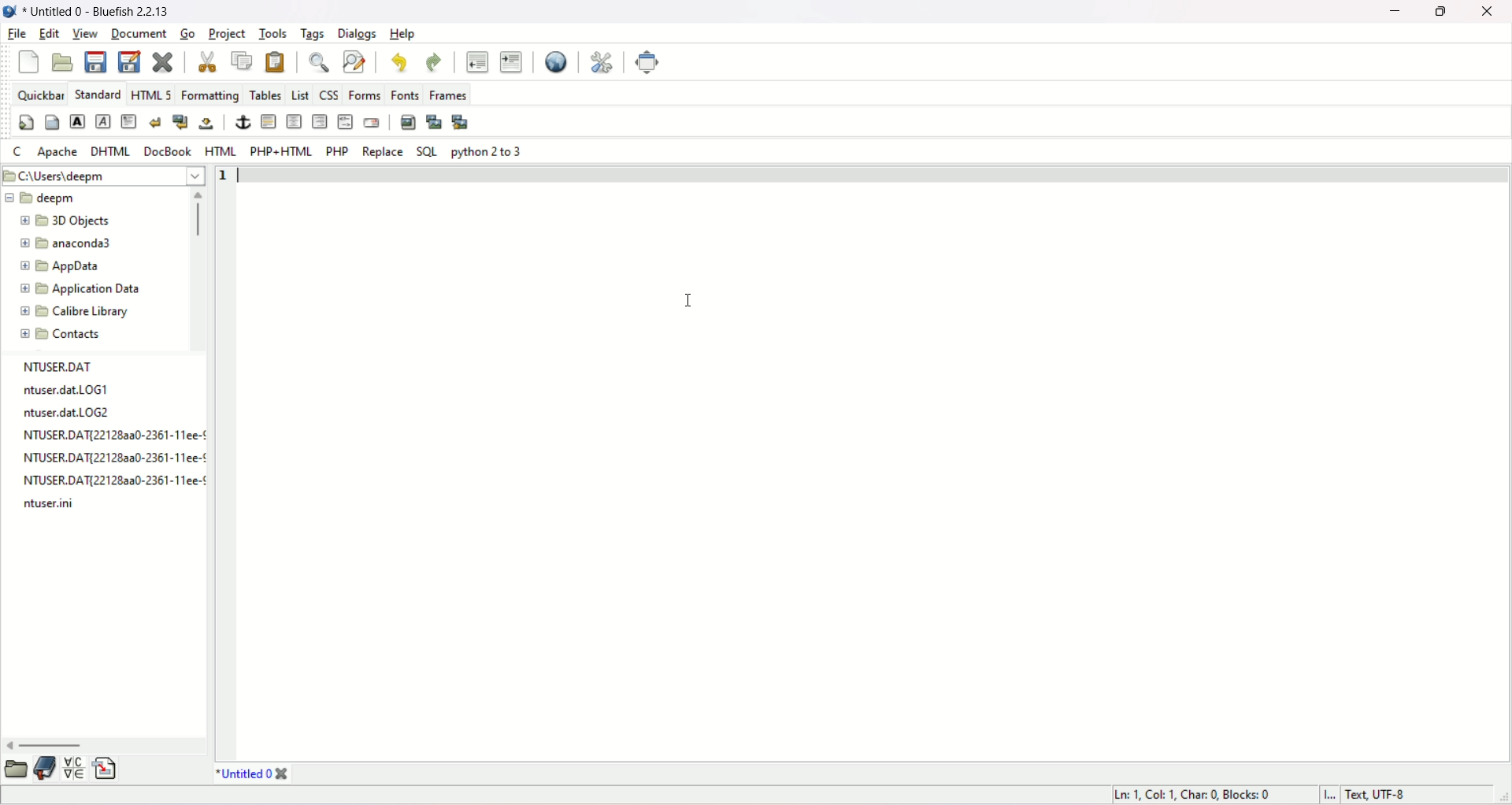 The height and width of the screenshot is (805, 1512). Describe the element at coordinates (154, 95) in the screenshot. I see `HTML 5` at that location.